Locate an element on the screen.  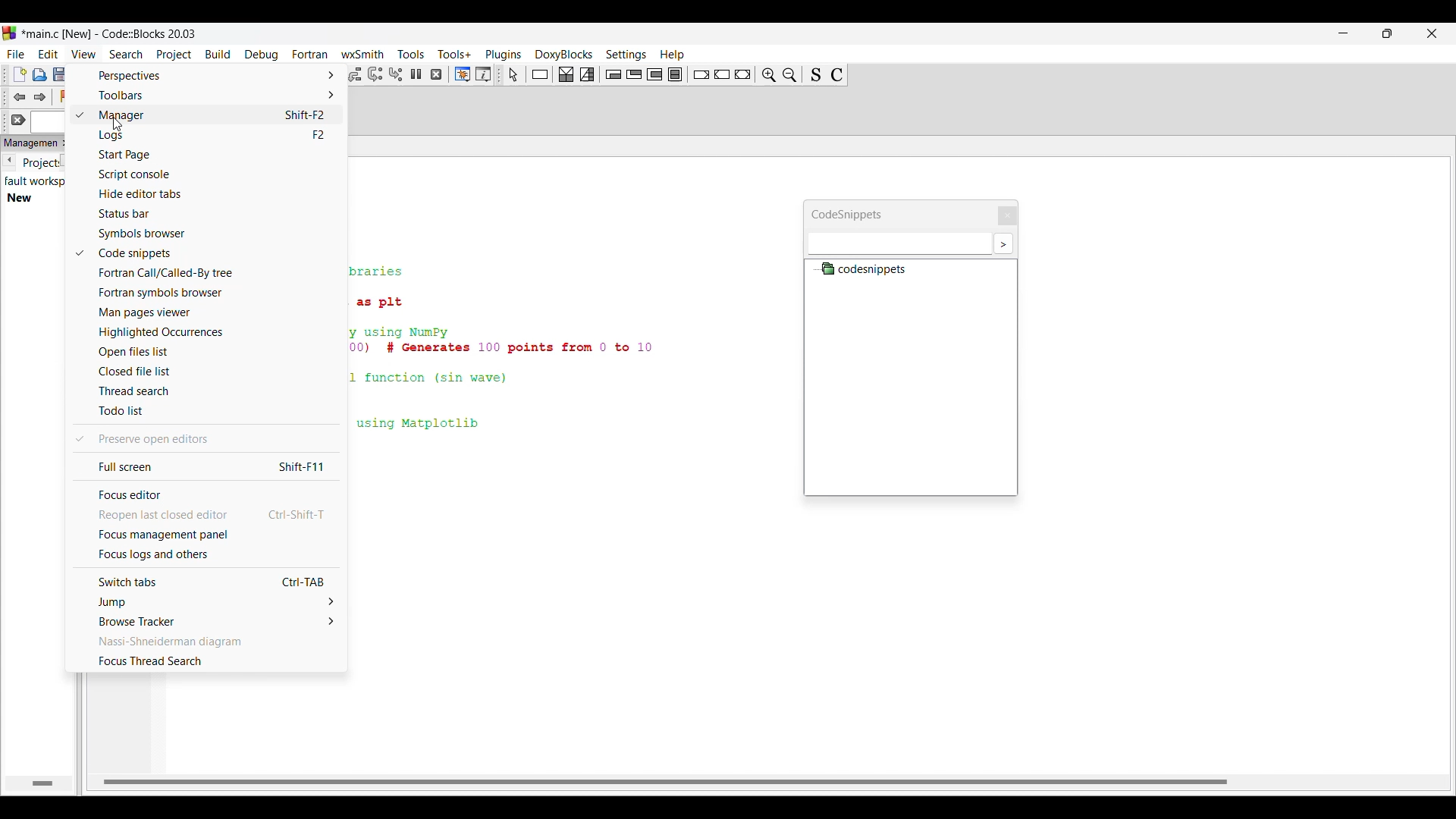
Fortran is located at coordinates (309, 54).